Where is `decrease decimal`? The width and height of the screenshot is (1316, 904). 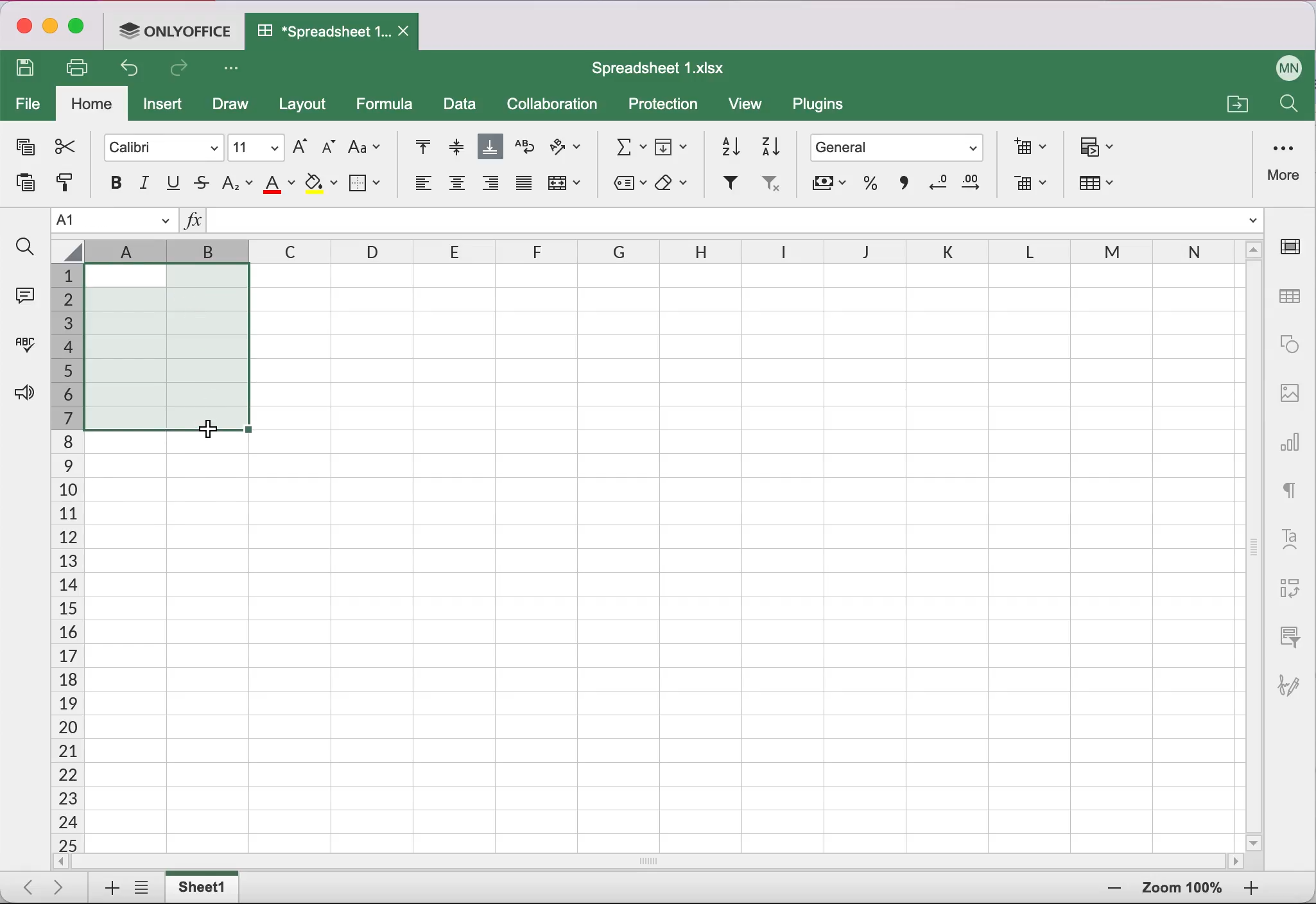 decrease decimal is located at coordinates (936, 186).